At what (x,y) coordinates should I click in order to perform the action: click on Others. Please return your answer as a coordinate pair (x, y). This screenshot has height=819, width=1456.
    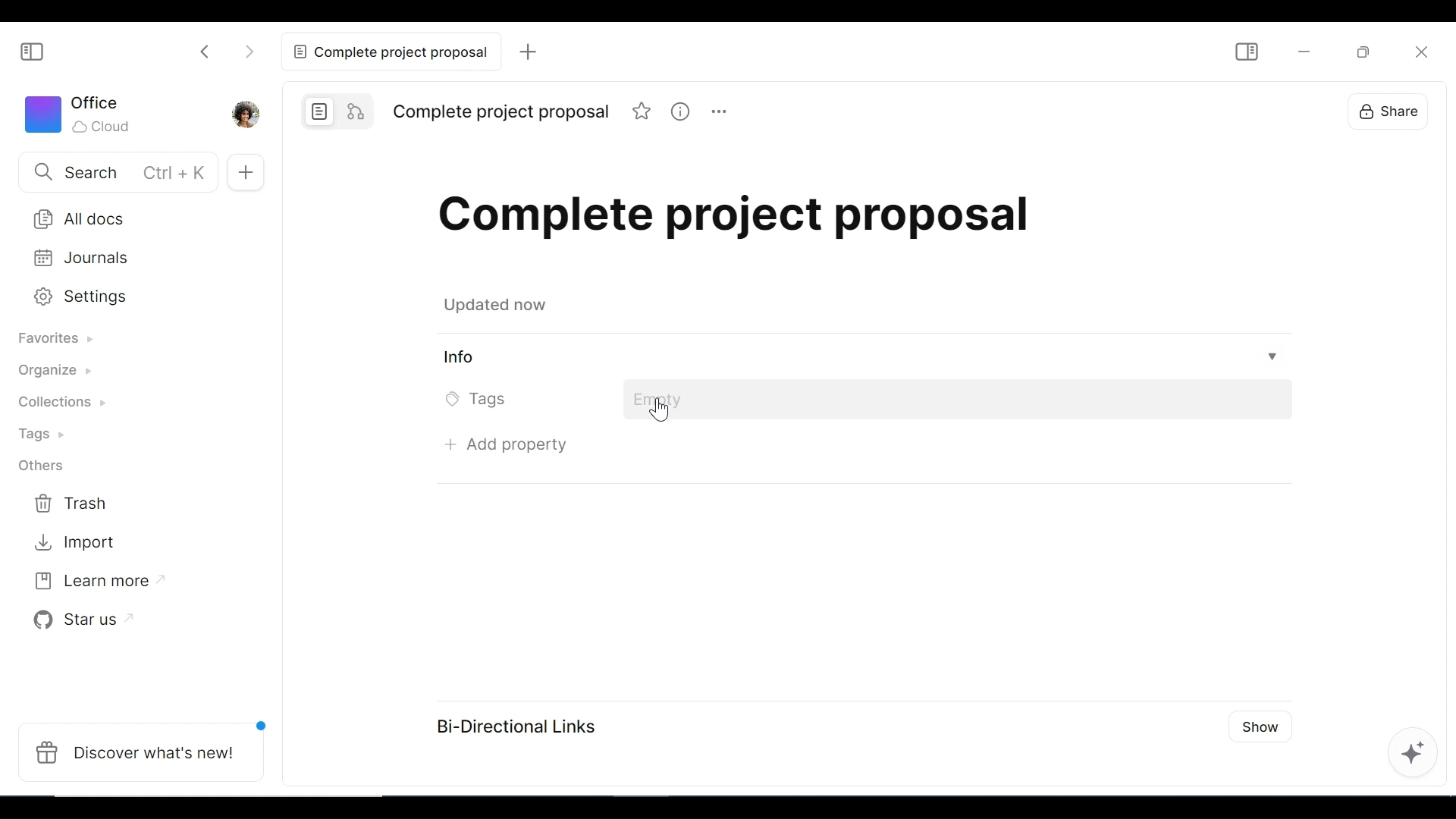
    Looking at the image, I should click on (40, 465).